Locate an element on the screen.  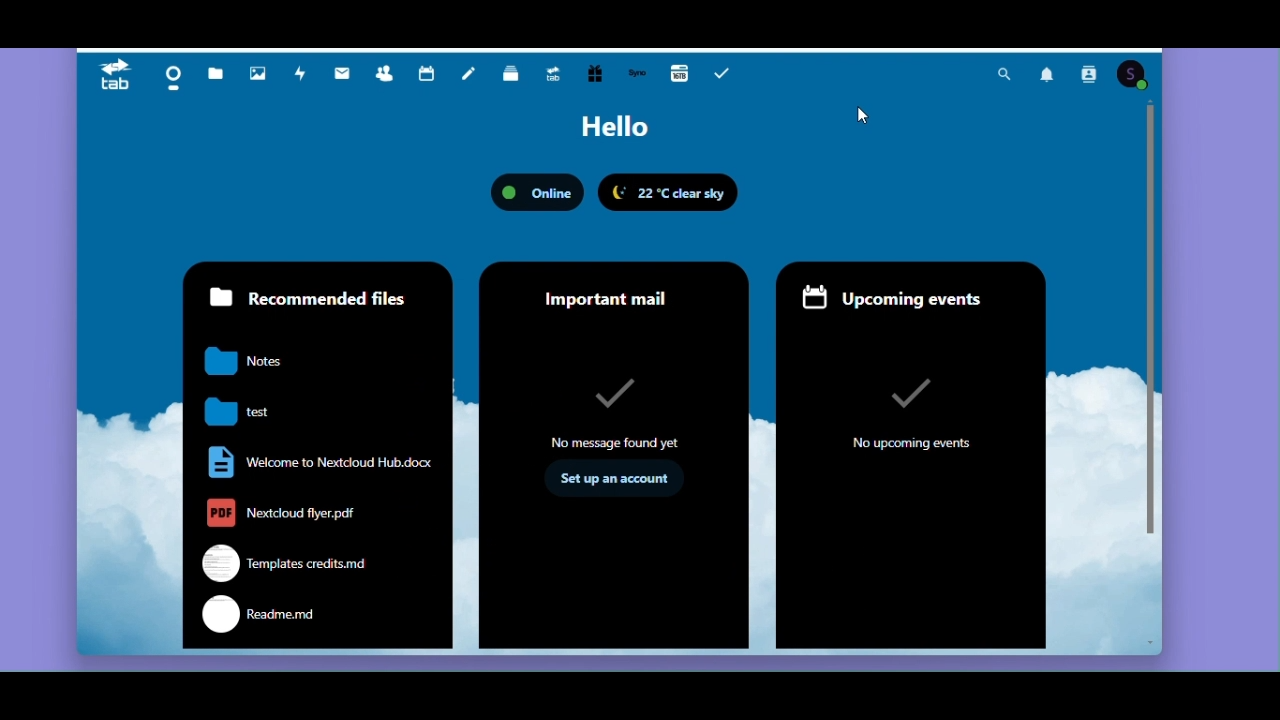
Recommended files is located at coordinates (311, 297).